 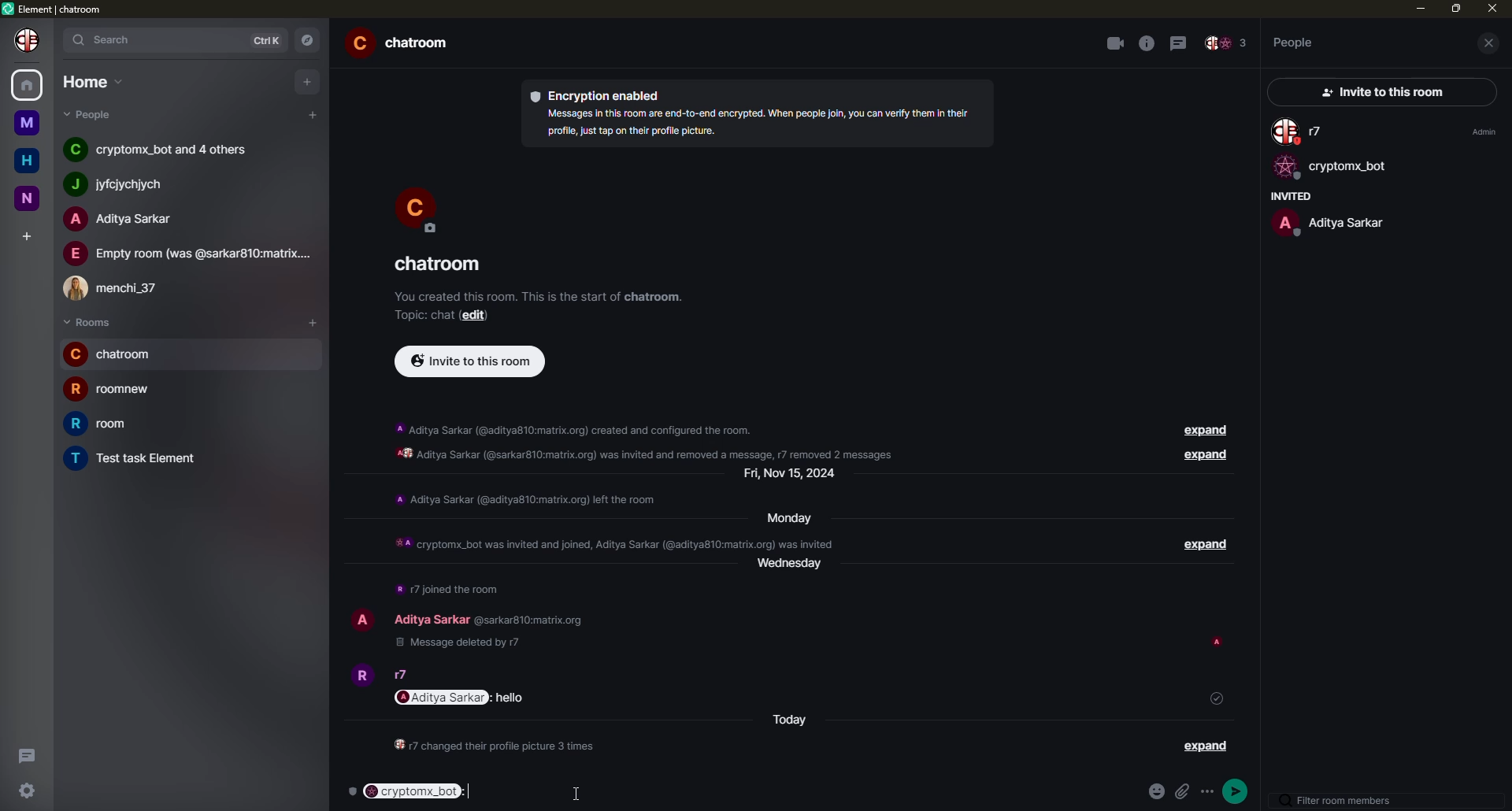 What do you see at coordinates (1181, 42) in the screenshot?
I see `threads` at bounding box center [1181, 42].